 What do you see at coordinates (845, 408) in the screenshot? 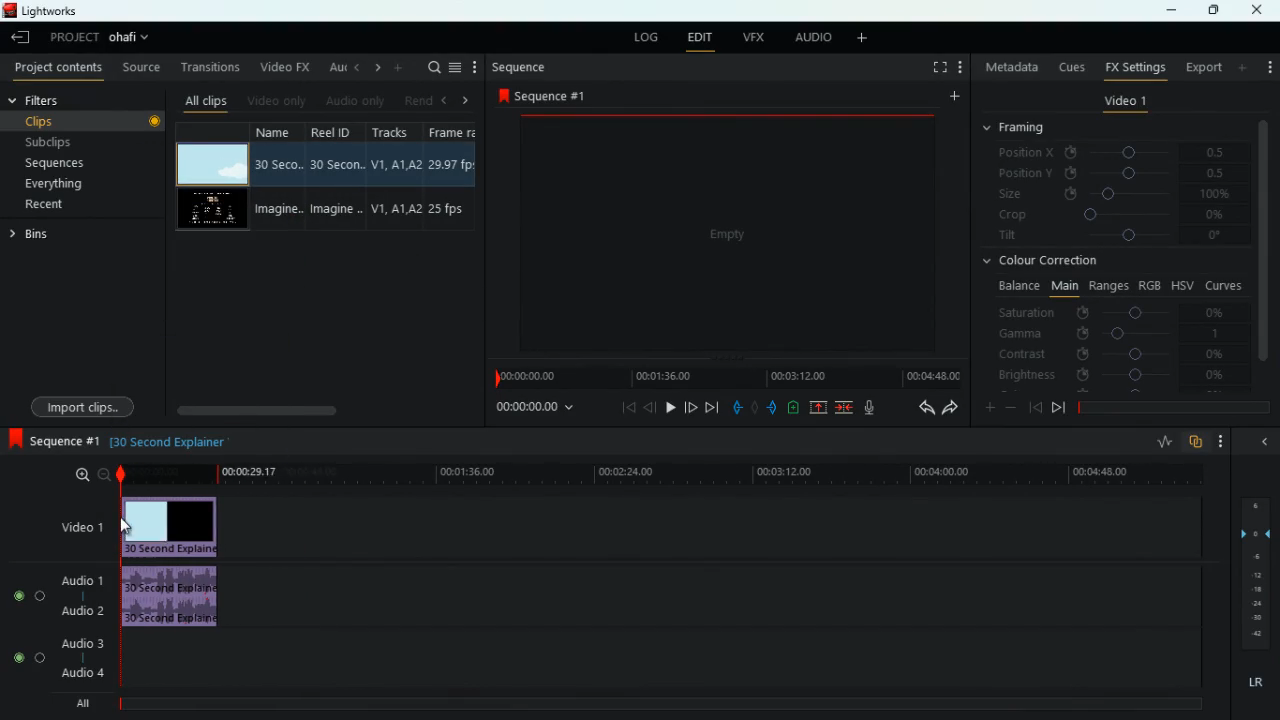
I see `merge` at bounding box center [845, 408].